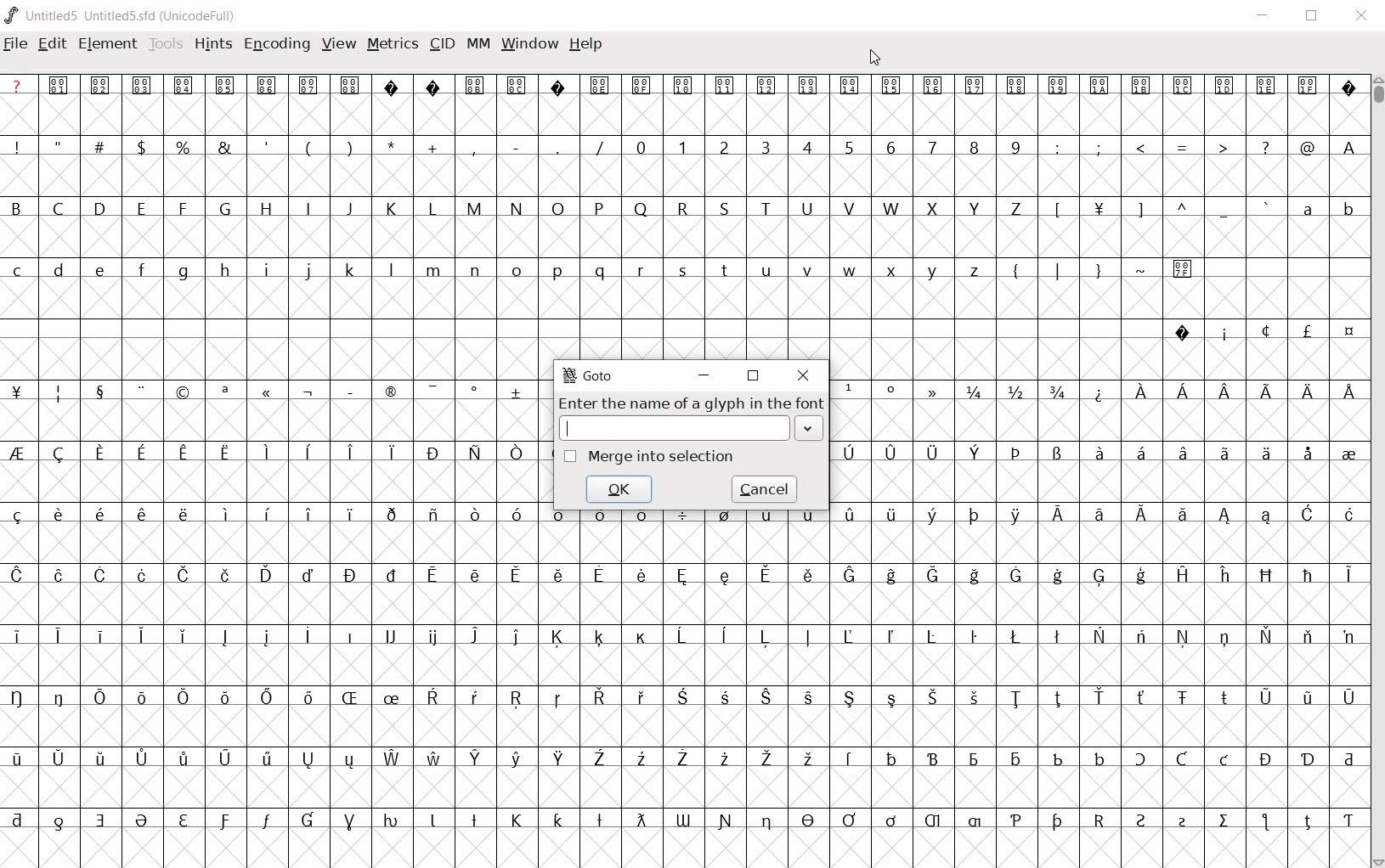  What do you see at coordinates (12, 14) in the screenshot?
I see `logo` at bounding box center [12, 14].